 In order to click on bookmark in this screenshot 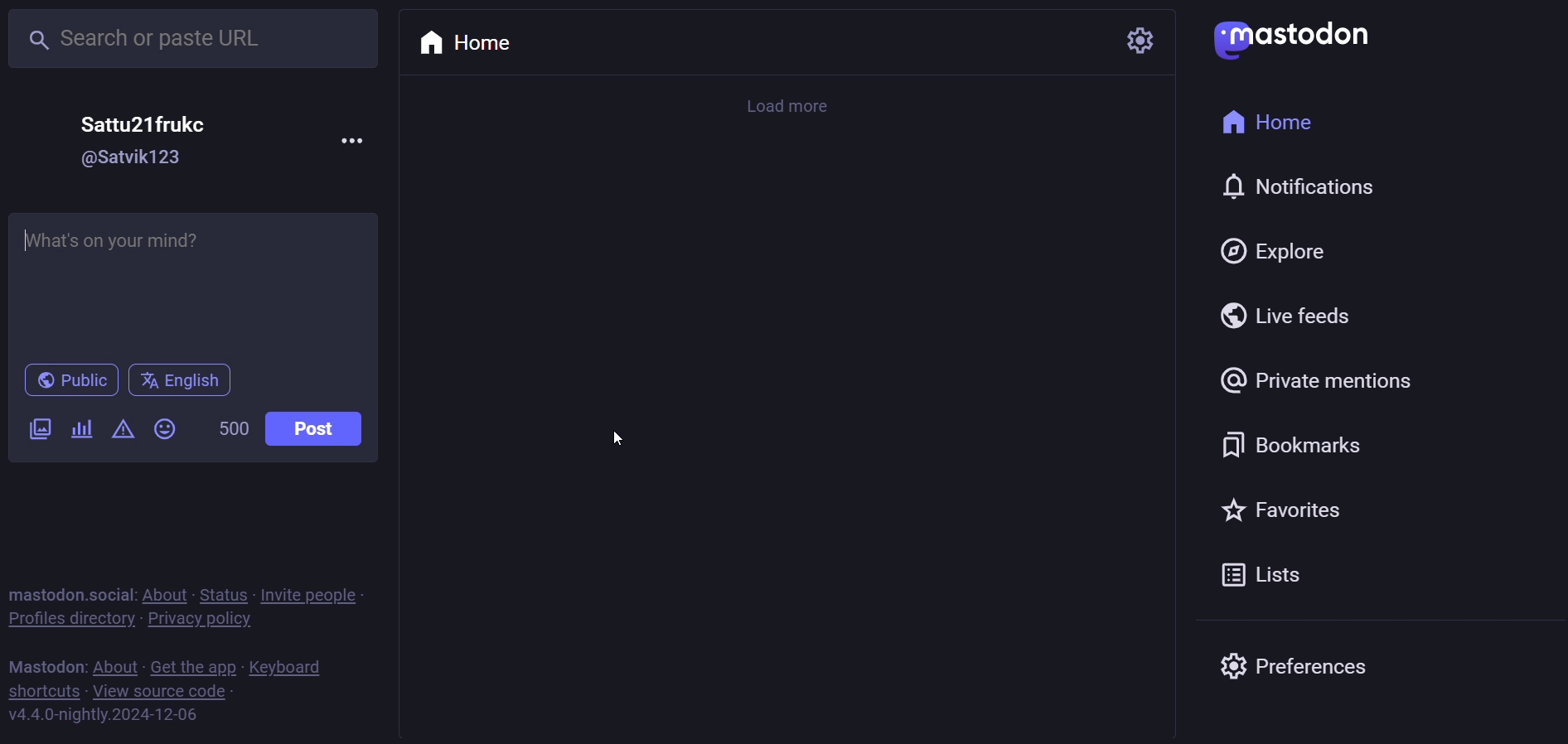, I will do `click(1286, 445)`.